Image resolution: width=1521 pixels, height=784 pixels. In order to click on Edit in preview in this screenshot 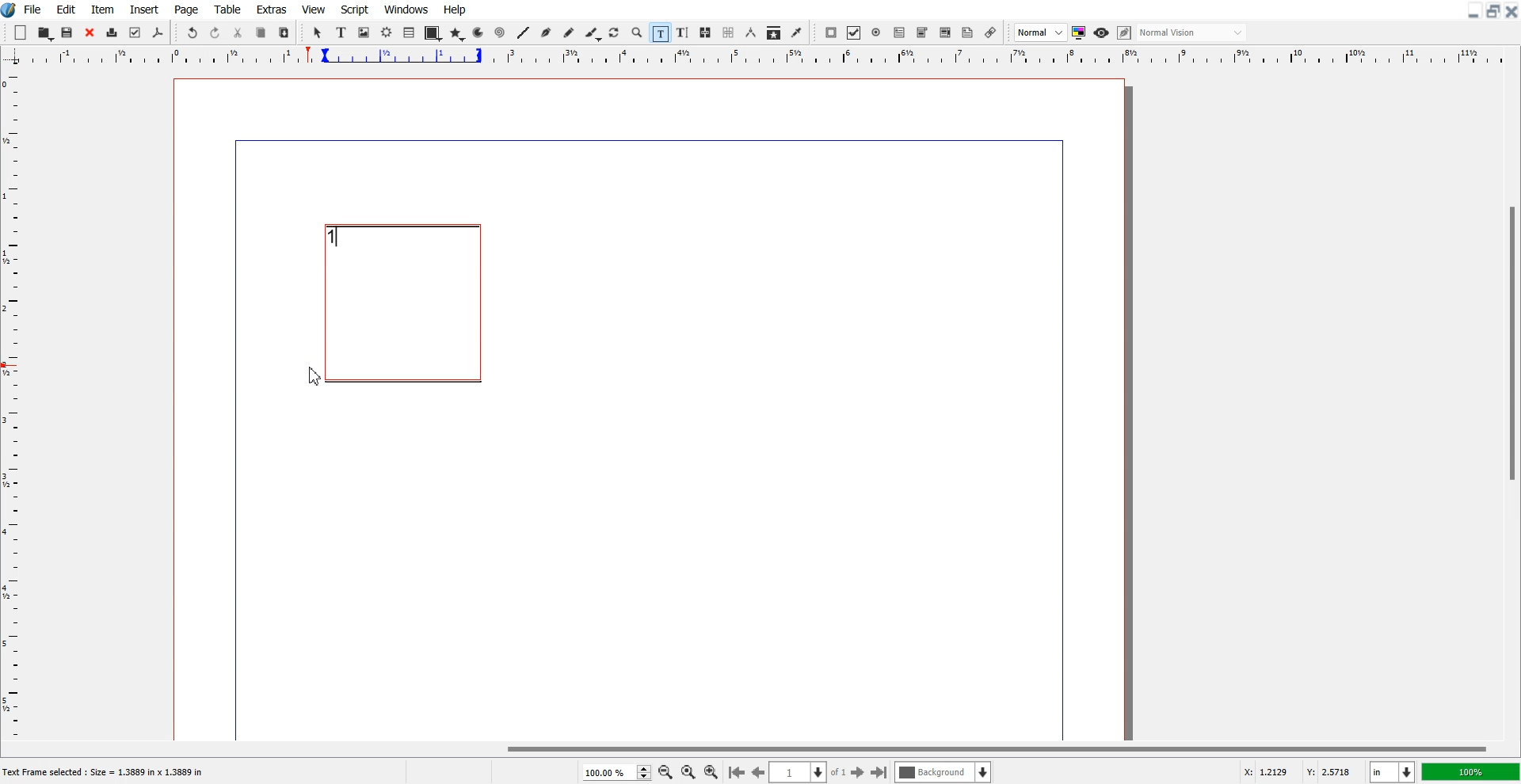, I will do `click(1126, 33)`.